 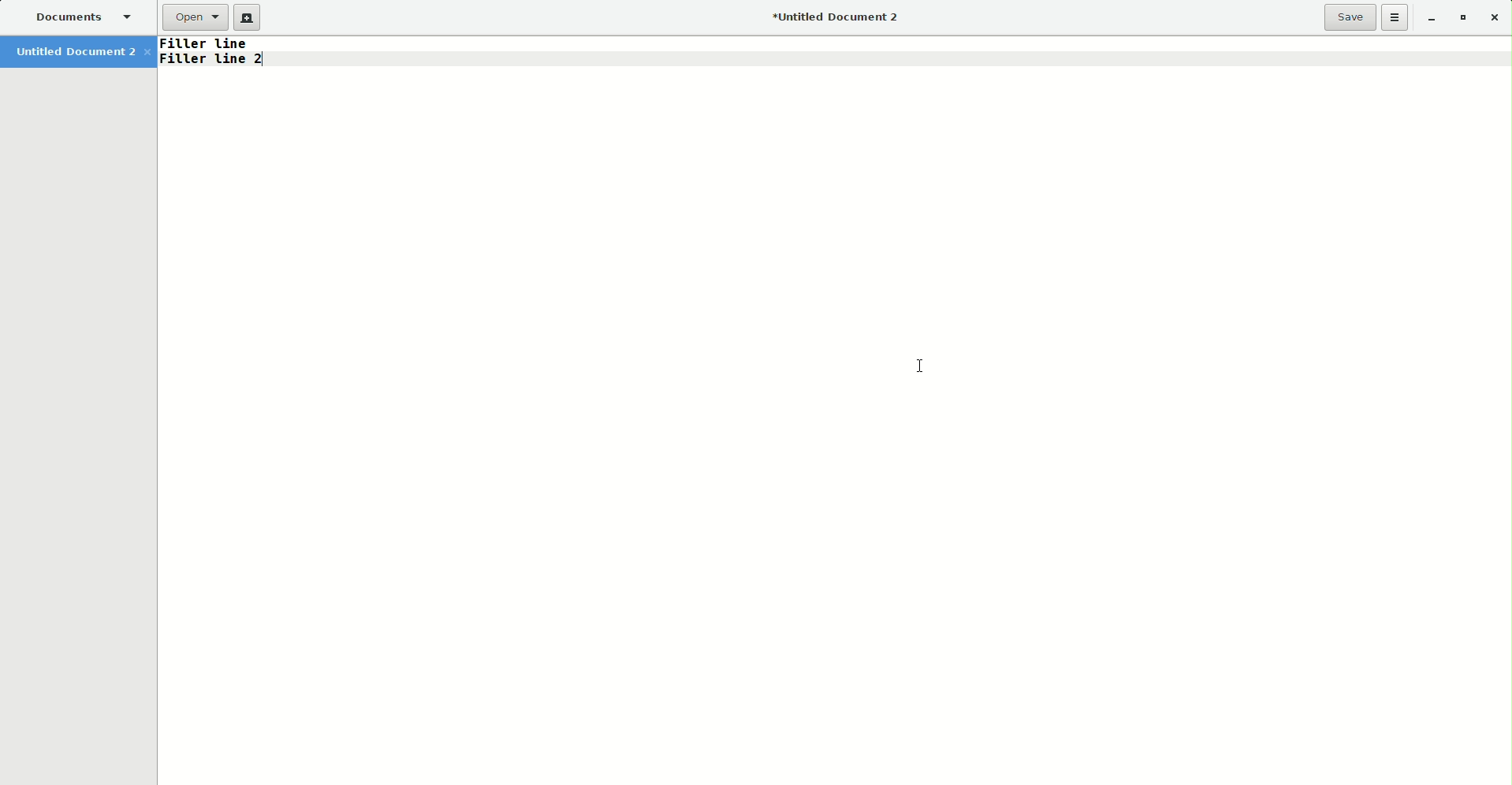 I want to click on Documents, so click(x=79, y=19).